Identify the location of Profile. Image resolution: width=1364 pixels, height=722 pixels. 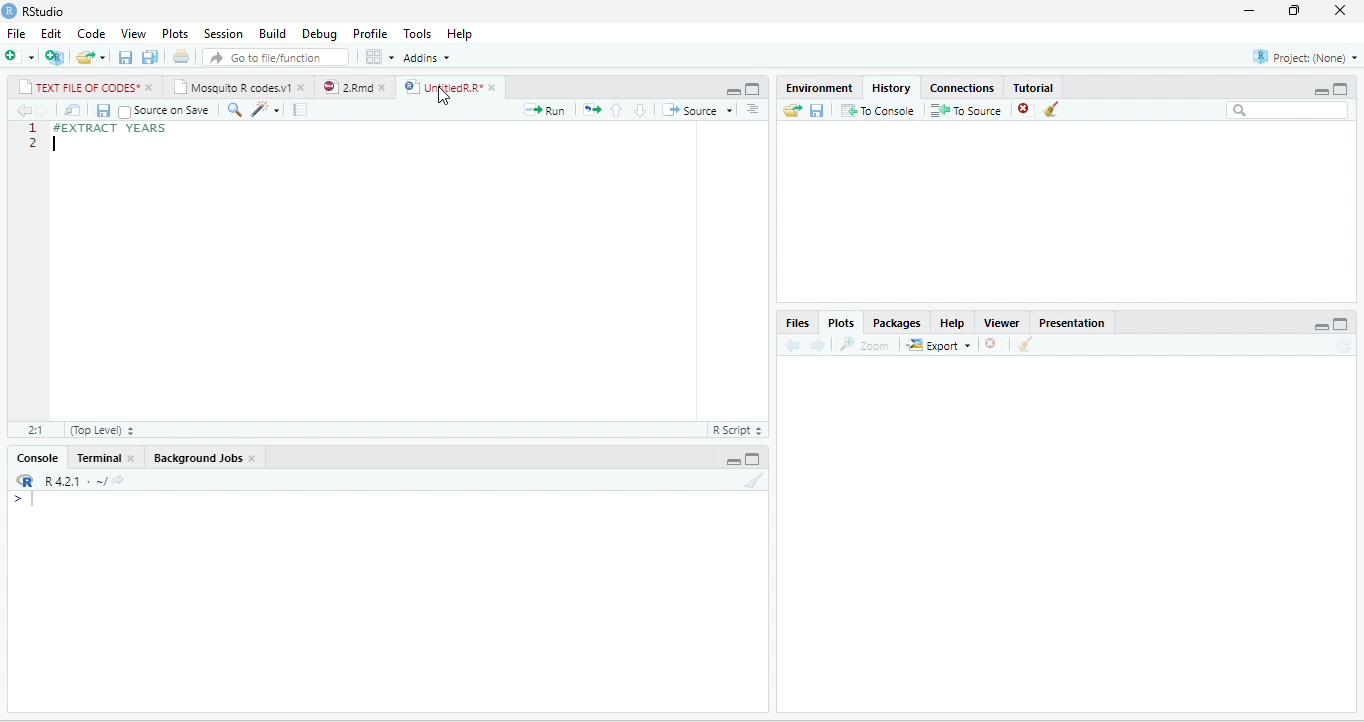
(371, 35).